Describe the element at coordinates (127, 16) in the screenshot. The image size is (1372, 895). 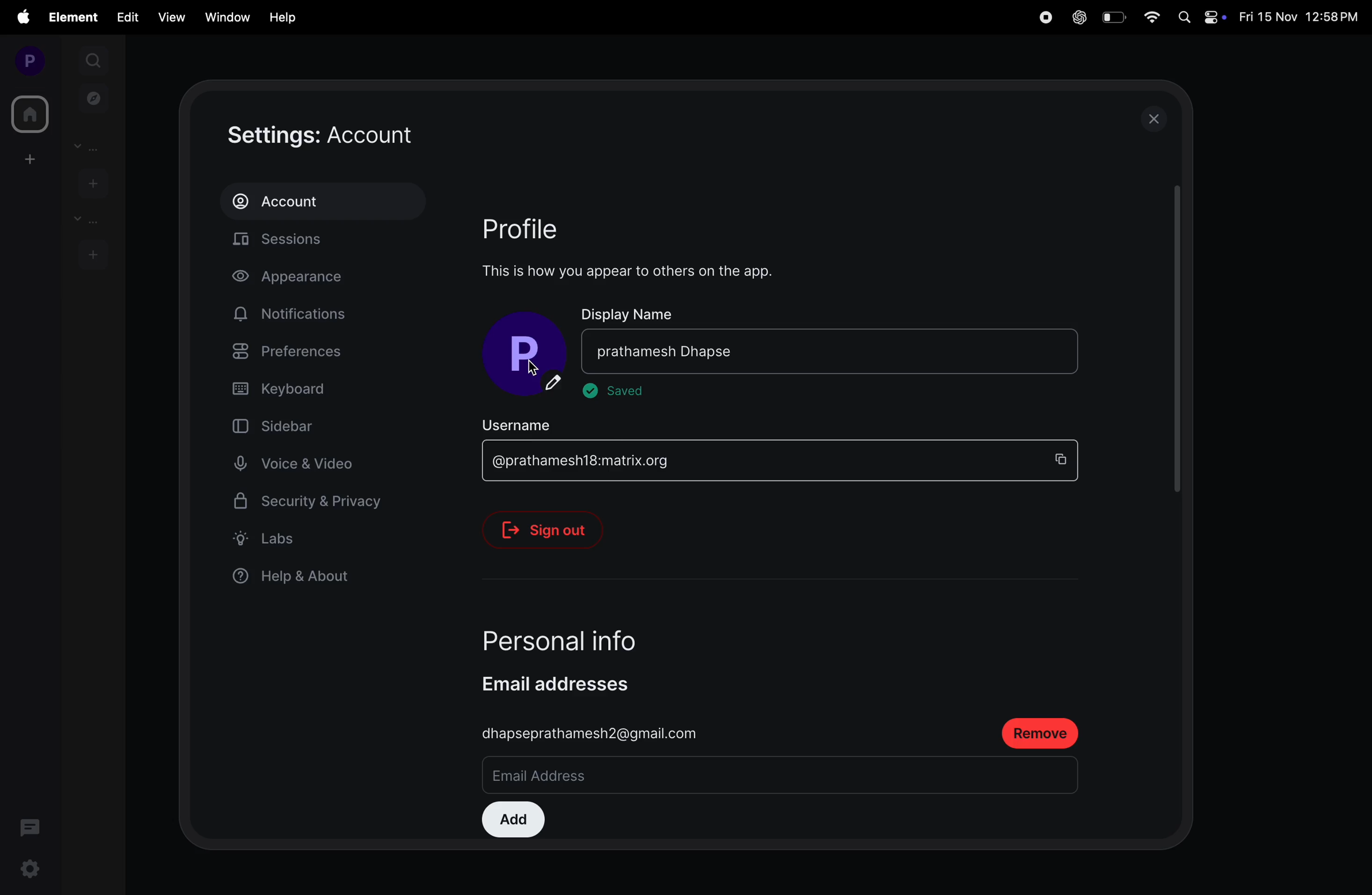
I see `edit` at that location.